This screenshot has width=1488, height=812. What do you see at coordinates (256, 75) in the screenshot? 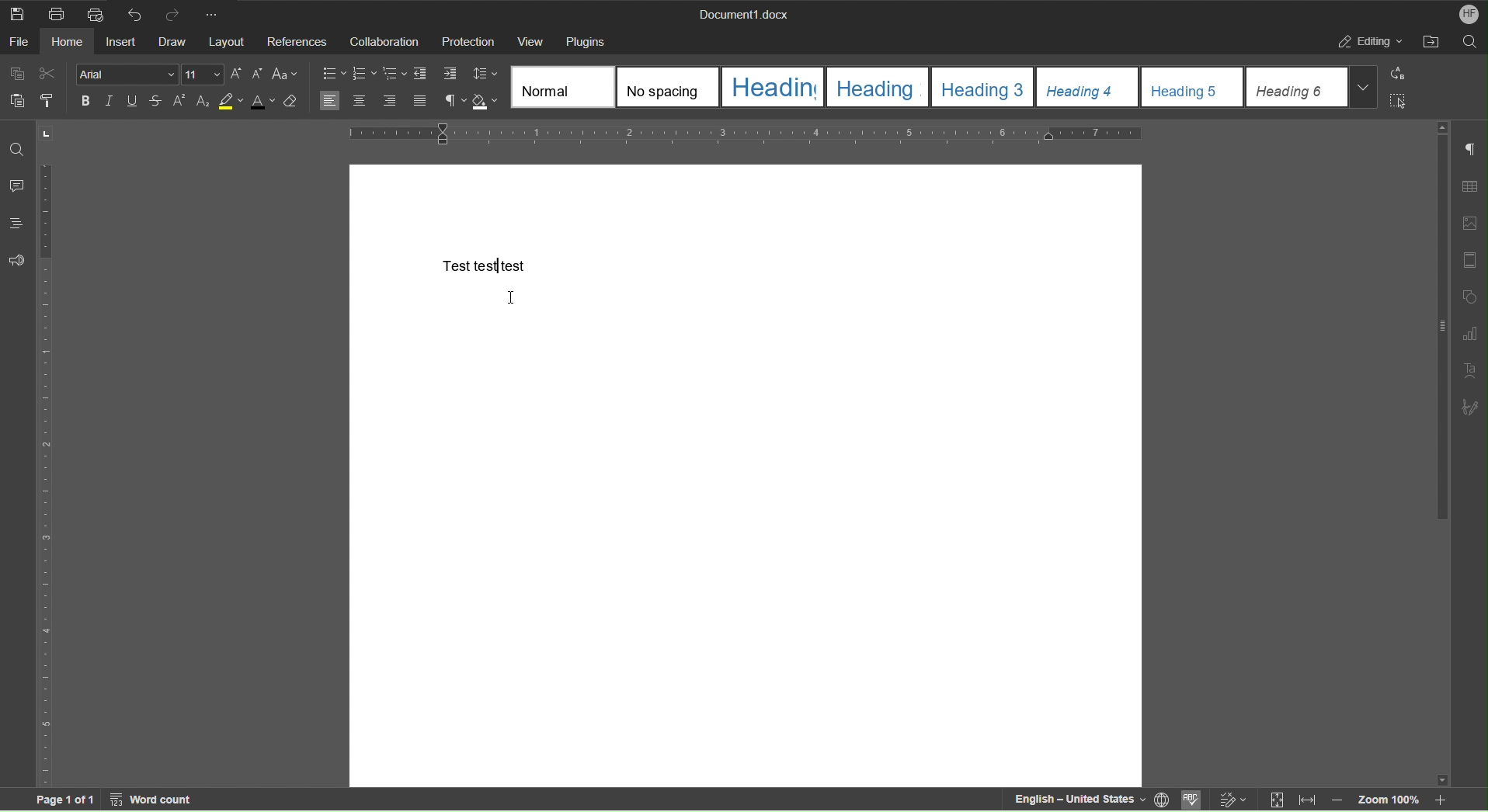
I see `Decrease Font Size` at bounding box center [256, 75].